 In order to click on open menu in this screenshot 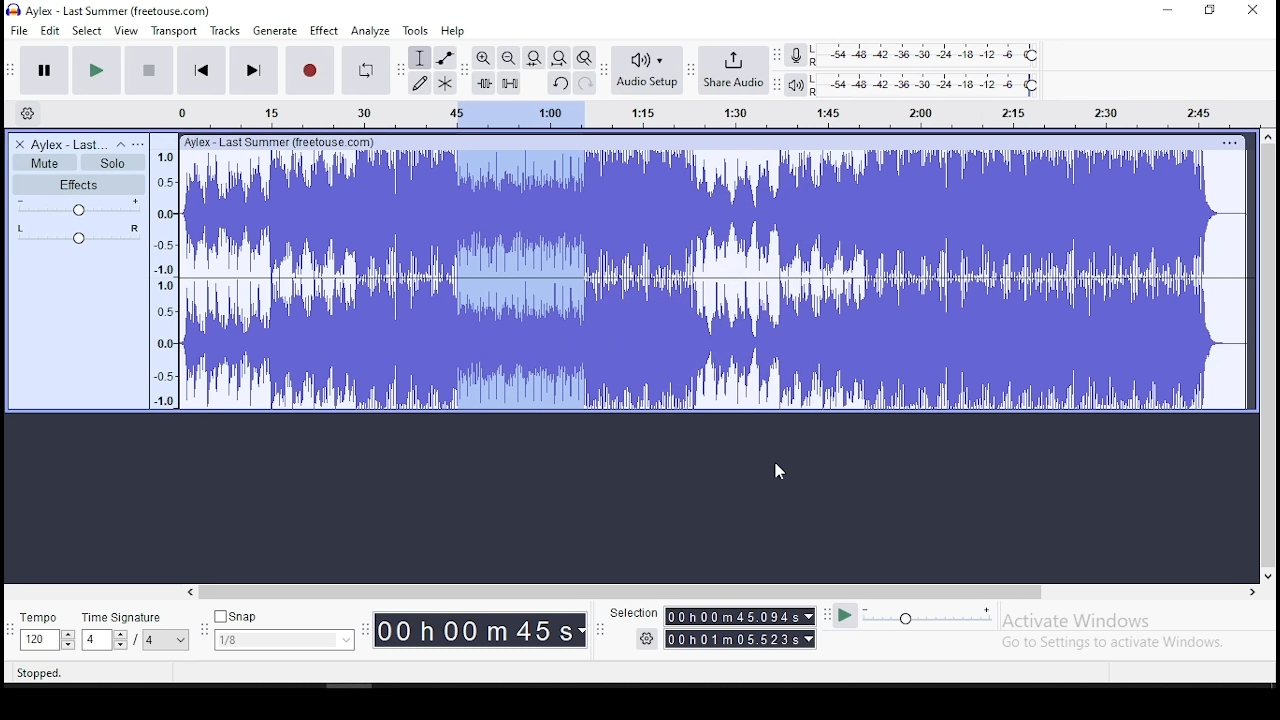, I will do `click(139, 144)`.